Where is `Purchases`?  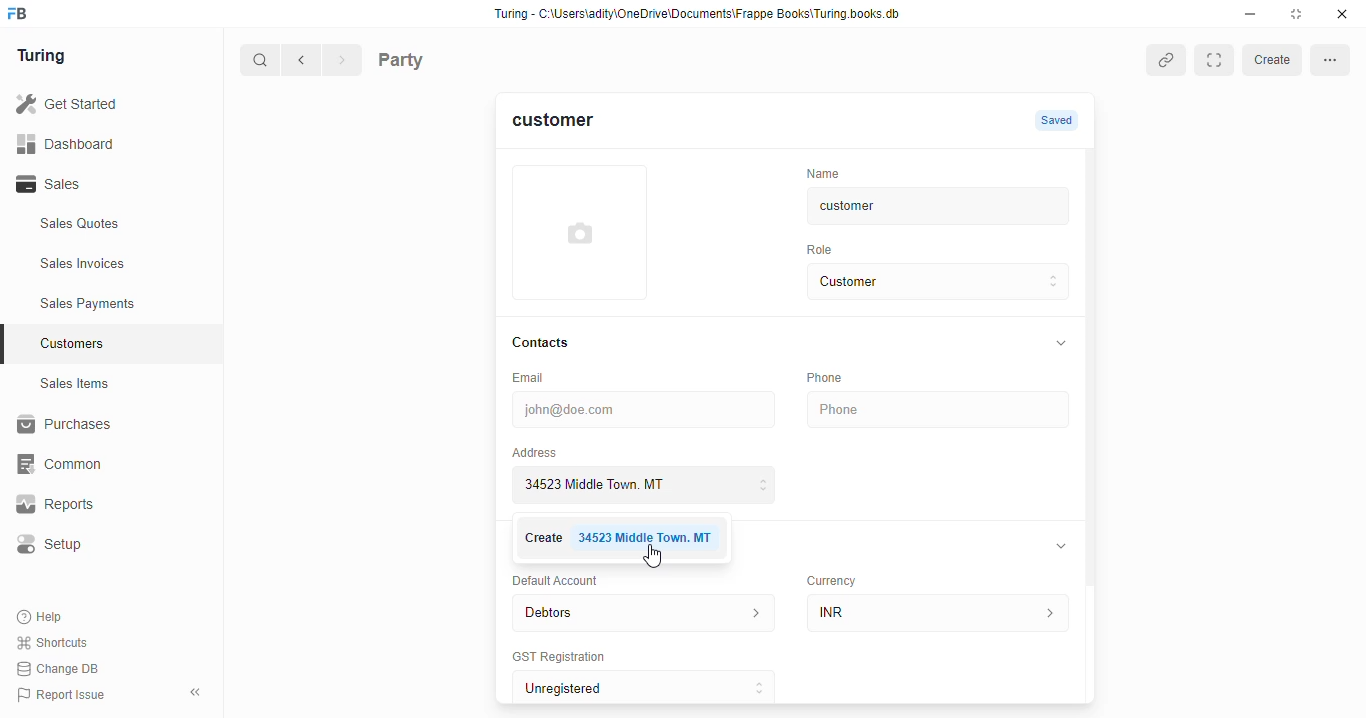 Purchases is located at coordinates (100, 427).